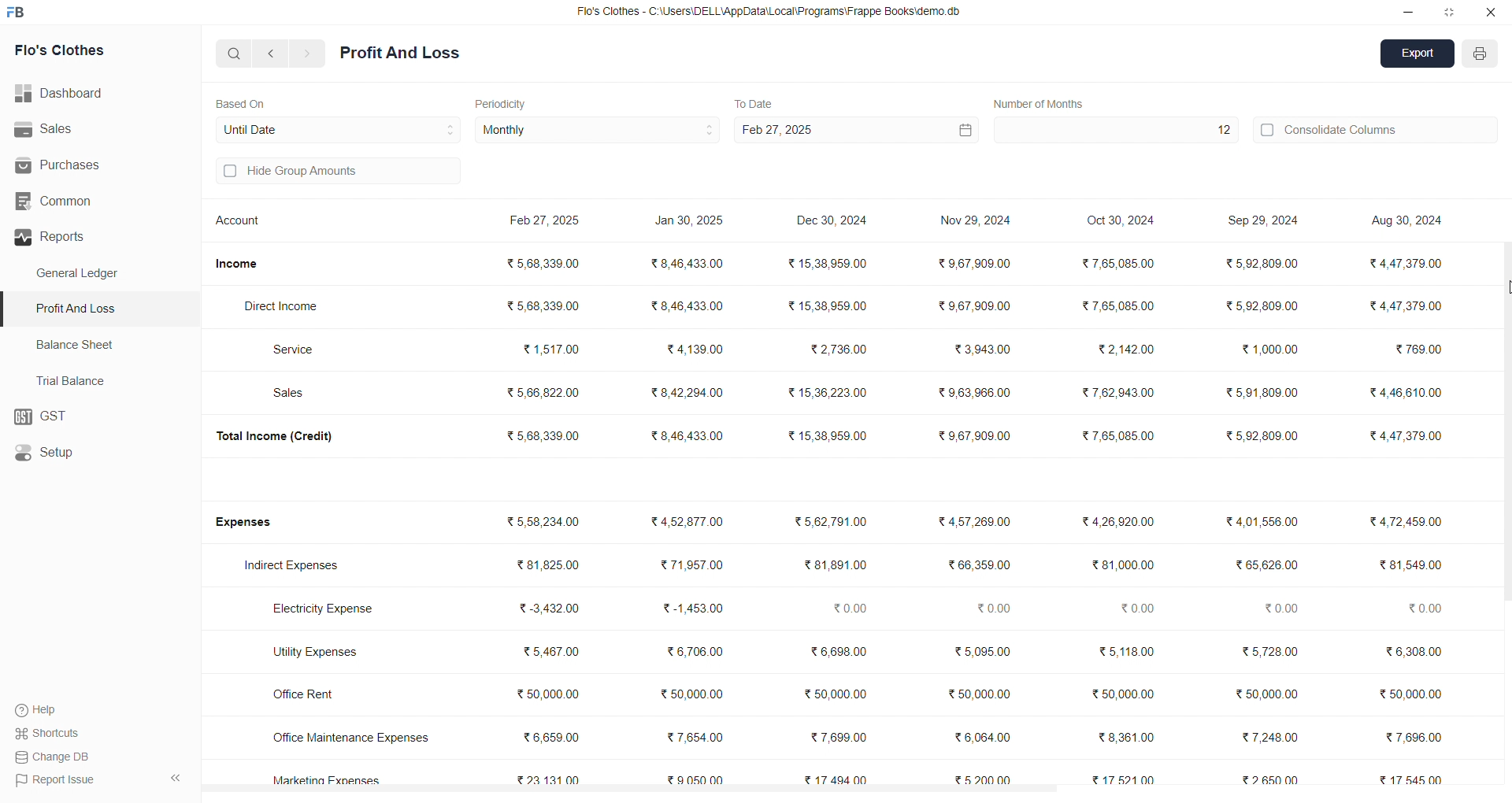 Image resolution: width=1512 pixels, height=803 pixels. I want to click on Profit And Loss, so click(400, 54).